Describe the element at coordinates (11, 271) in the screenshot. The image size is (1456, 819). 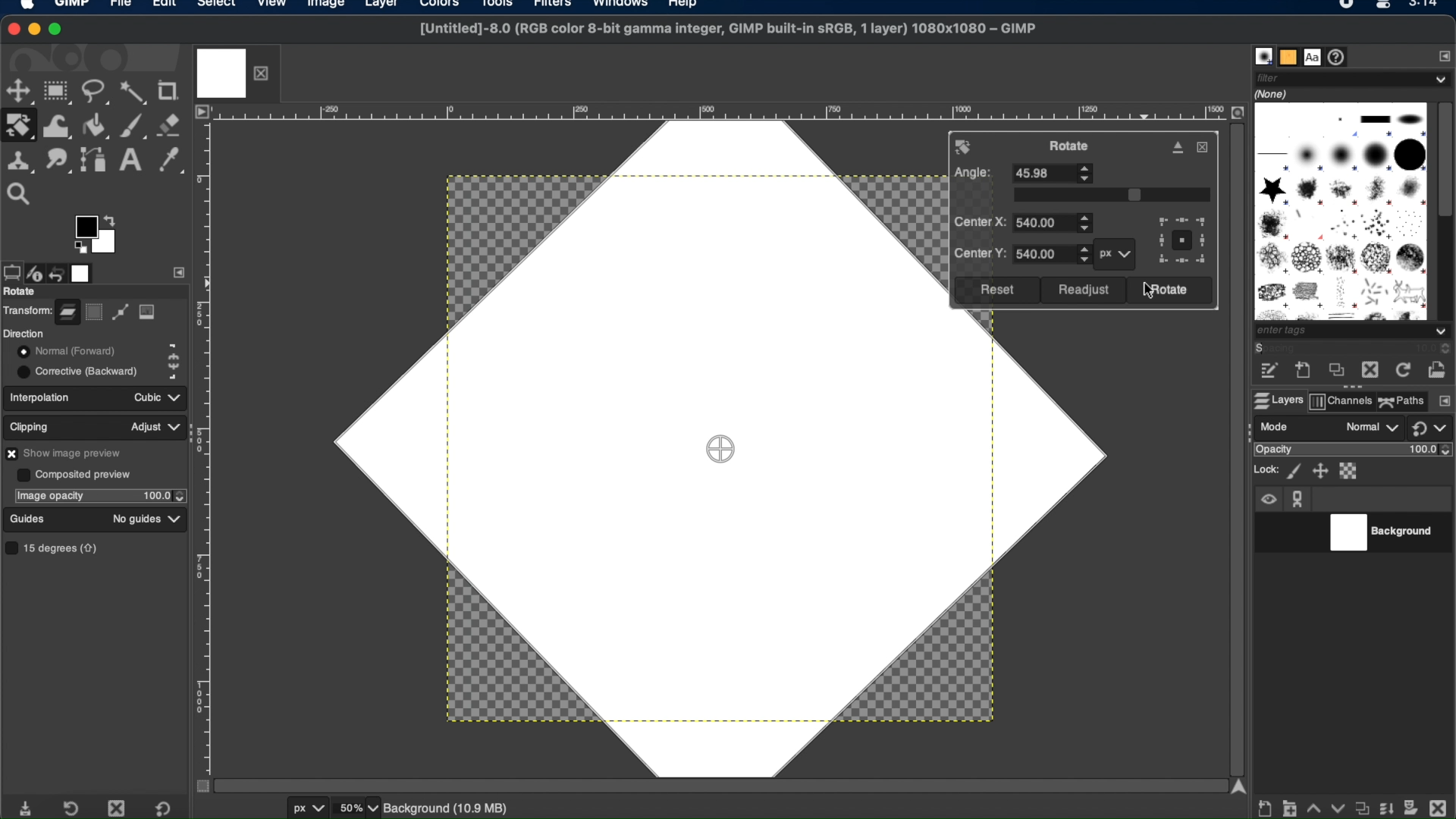
I see `tool options` at that location.